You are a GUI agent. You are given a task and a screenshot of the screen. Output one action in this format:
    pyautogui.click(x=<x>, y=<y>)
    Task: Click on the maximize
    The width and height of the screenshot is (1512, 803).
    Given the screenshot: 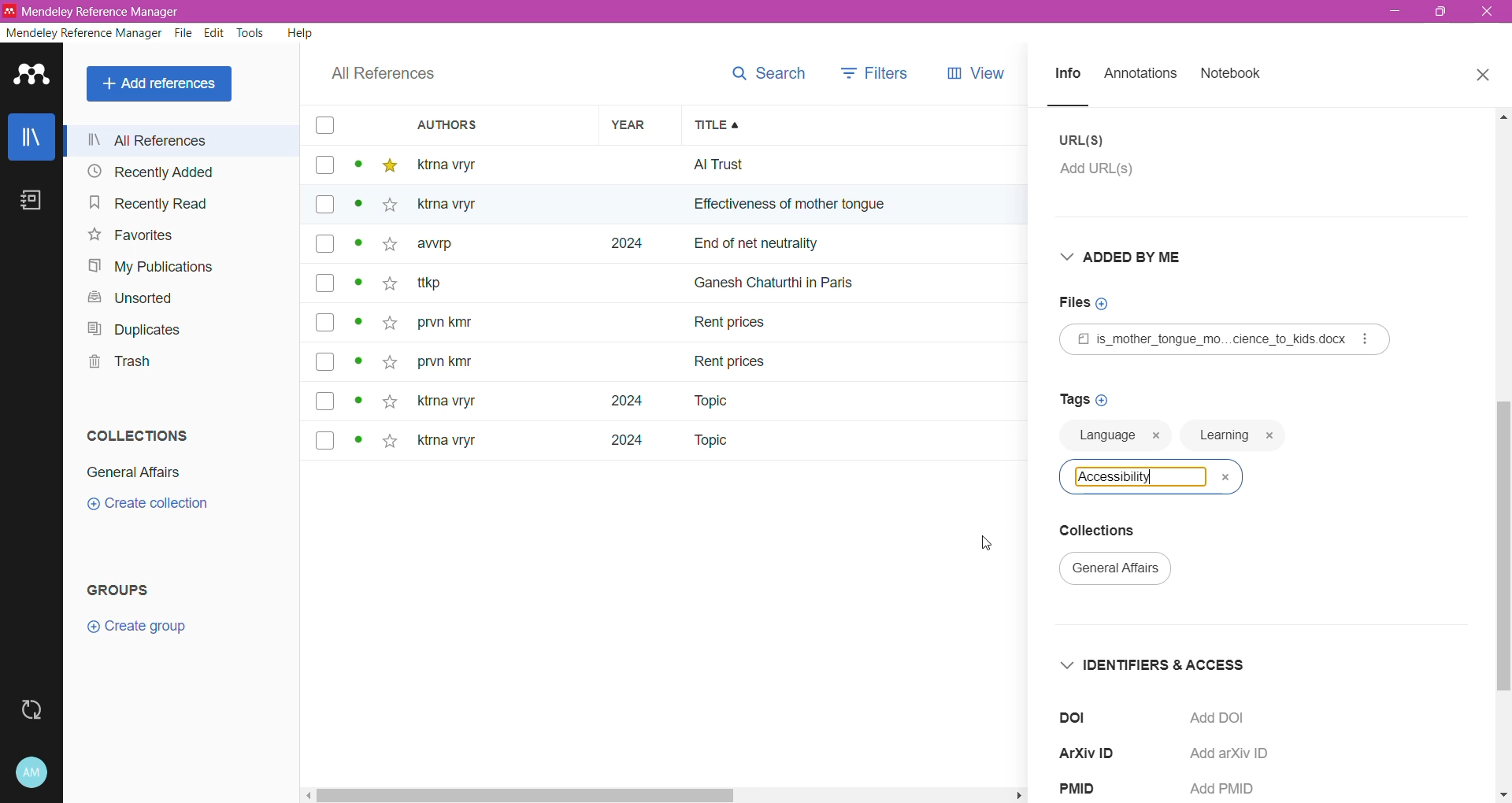 What is the action you would take?
    pyautogui.click(x=1436, y=17)
    